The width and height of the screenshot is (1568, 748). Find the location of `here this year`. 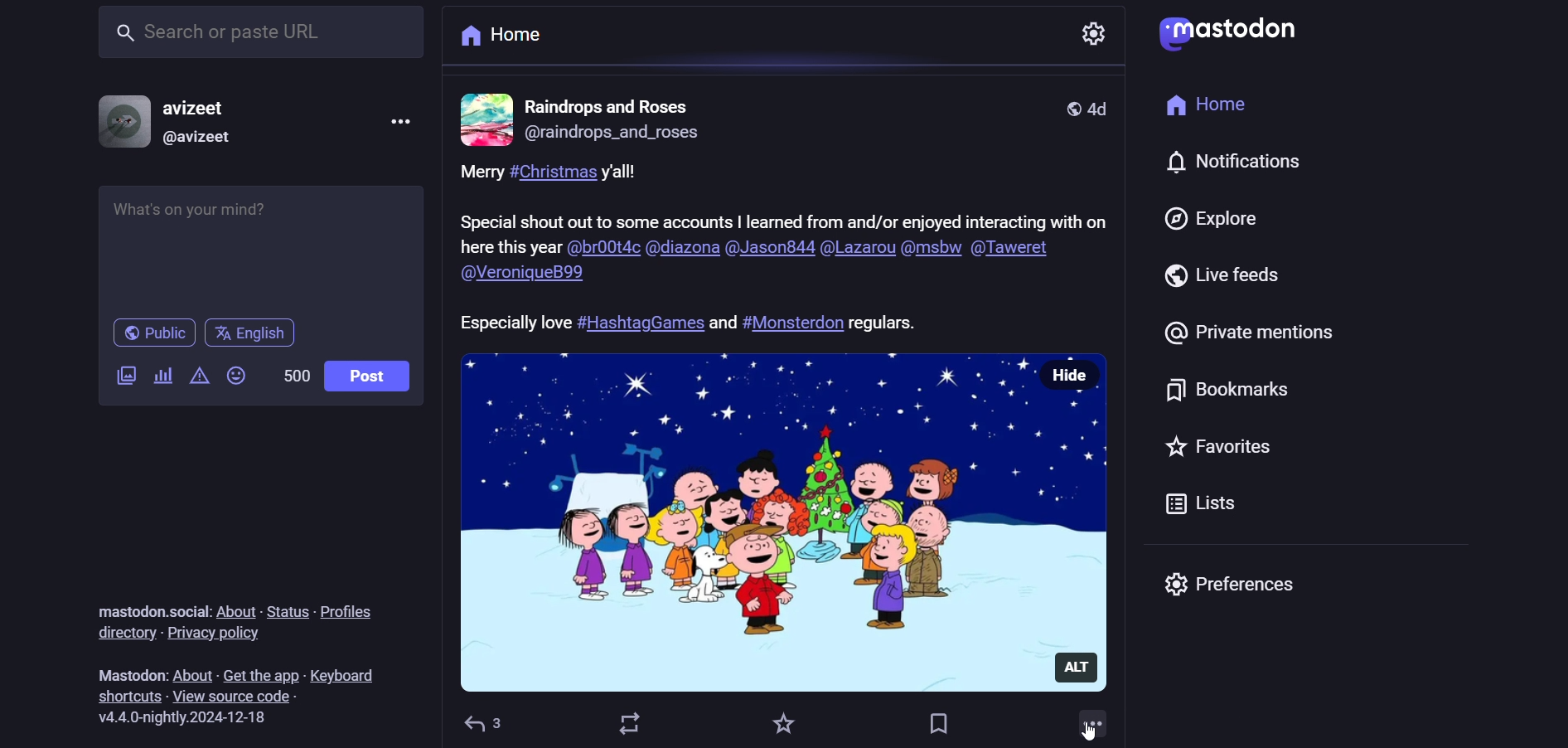

here this year is located at coordinates (510, 248).